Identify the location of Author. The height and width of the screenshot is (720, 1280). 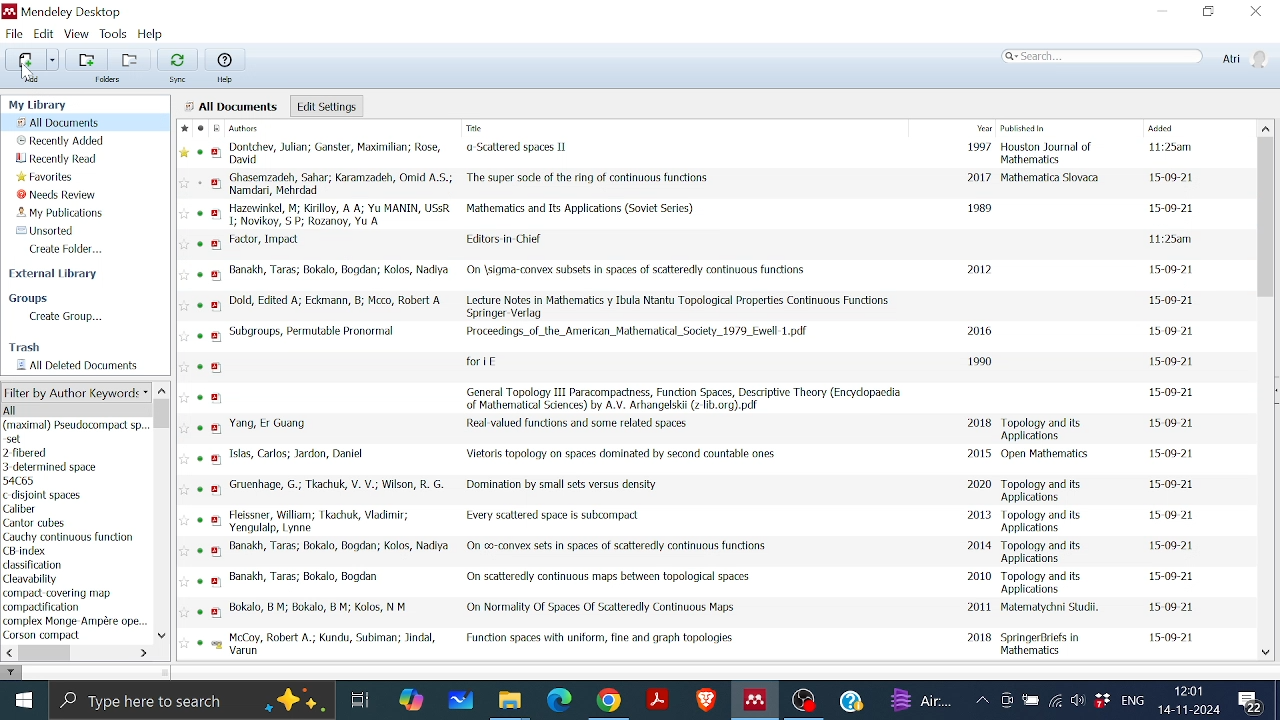
(328, 521).